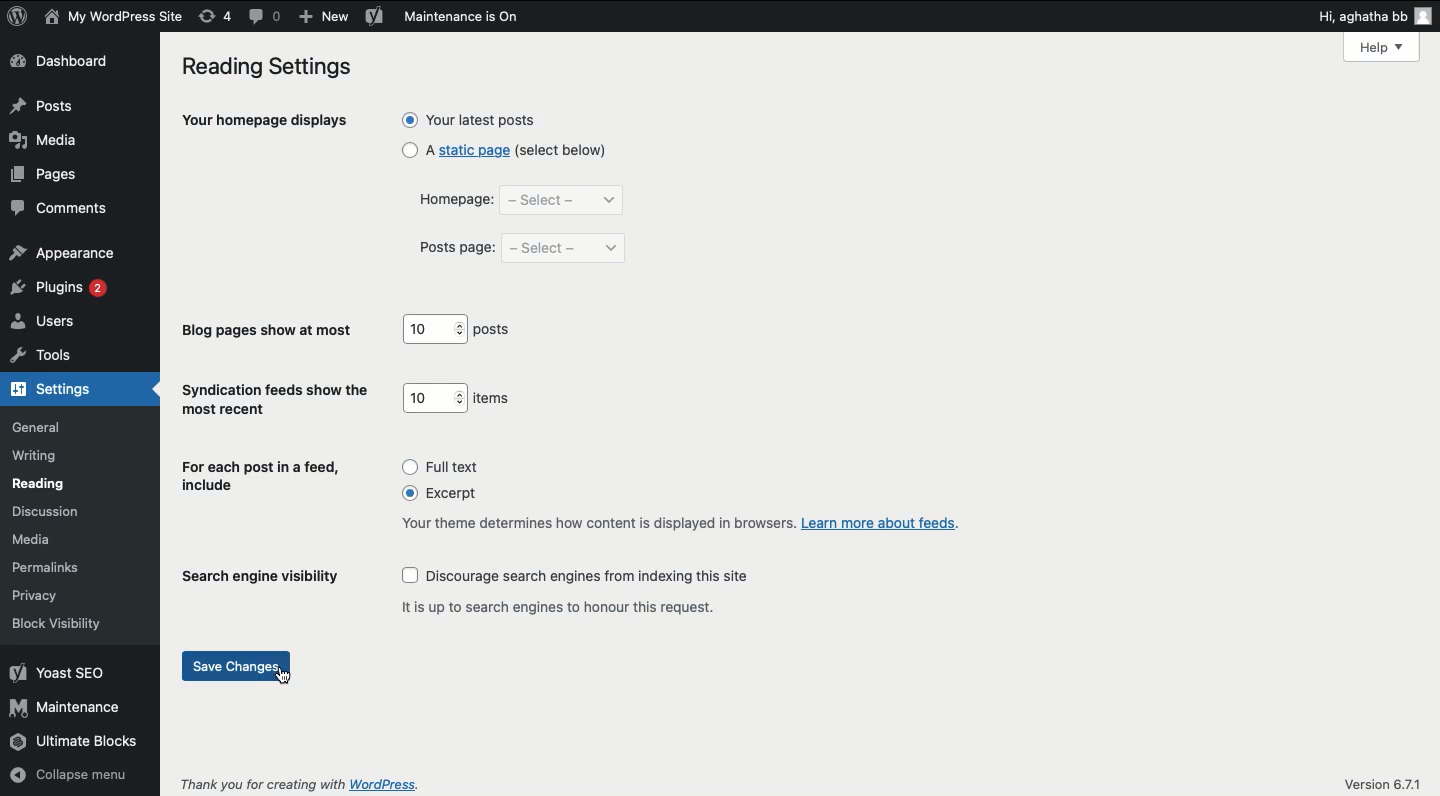 The height and width of the screenshot is (796, 1440). What do you see at coordinates (264, 478) in the screenshot?
I see `for each post in a feed, include` at bounding box center [264, 478].